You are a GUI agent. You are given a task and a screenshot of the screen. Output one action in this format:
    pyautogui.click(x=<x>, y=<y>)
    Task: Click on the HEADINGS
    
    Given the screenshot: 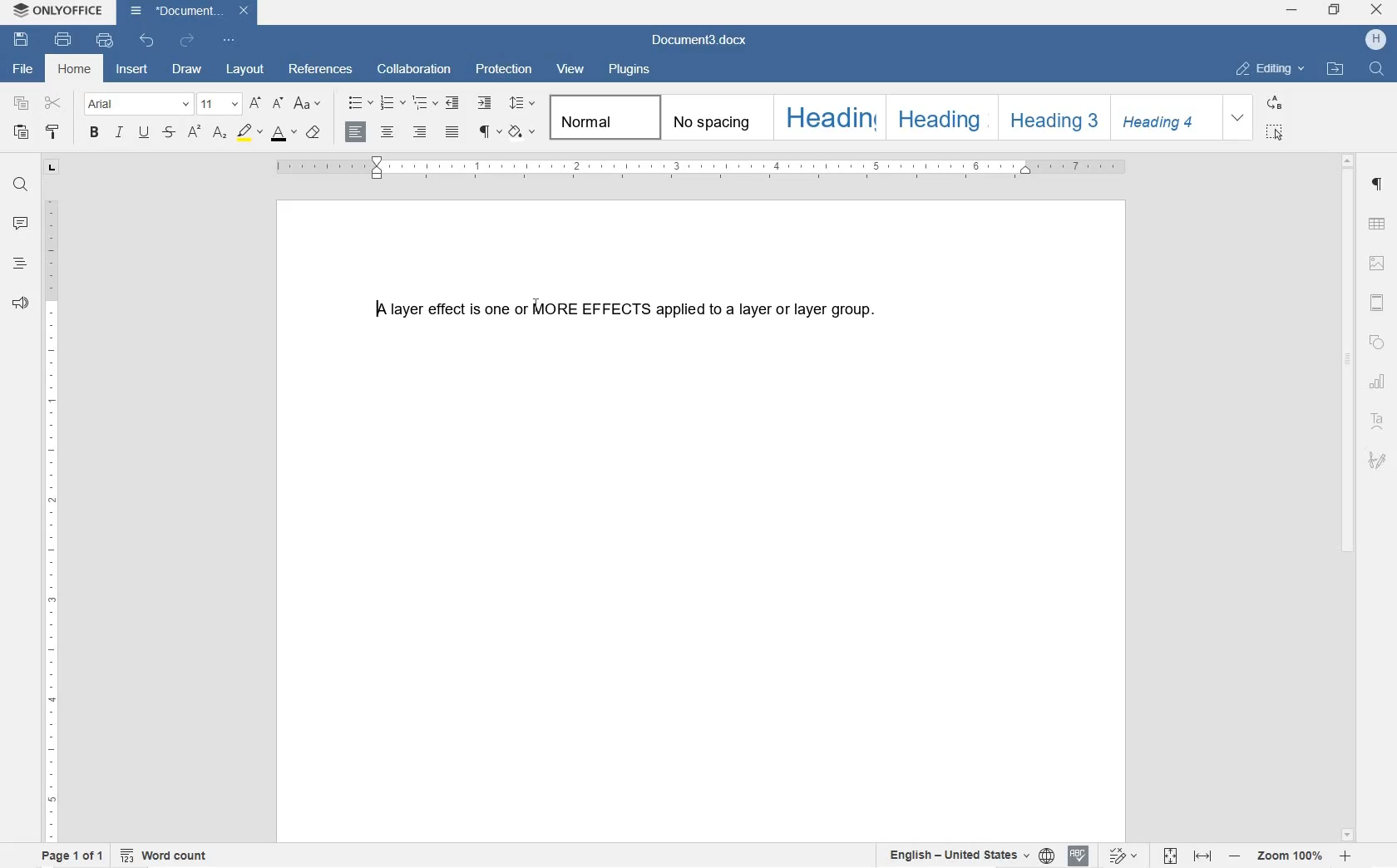 What is the action you would take?
    pyautogui.click(x=19, y=265)
    